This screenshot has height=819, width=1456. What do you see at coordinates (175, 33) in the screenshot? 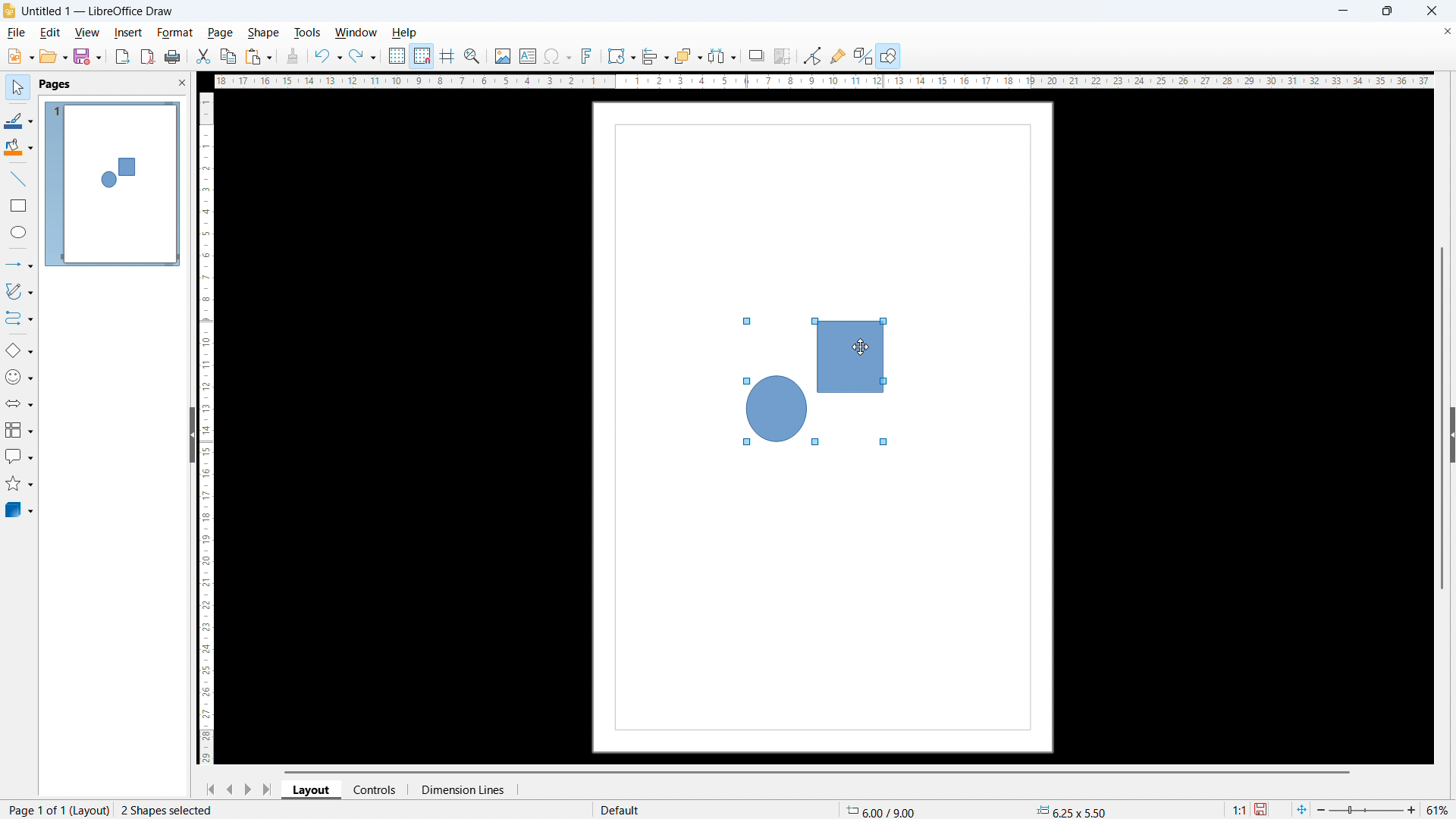
I see `format` at bounding box center [175, 33].